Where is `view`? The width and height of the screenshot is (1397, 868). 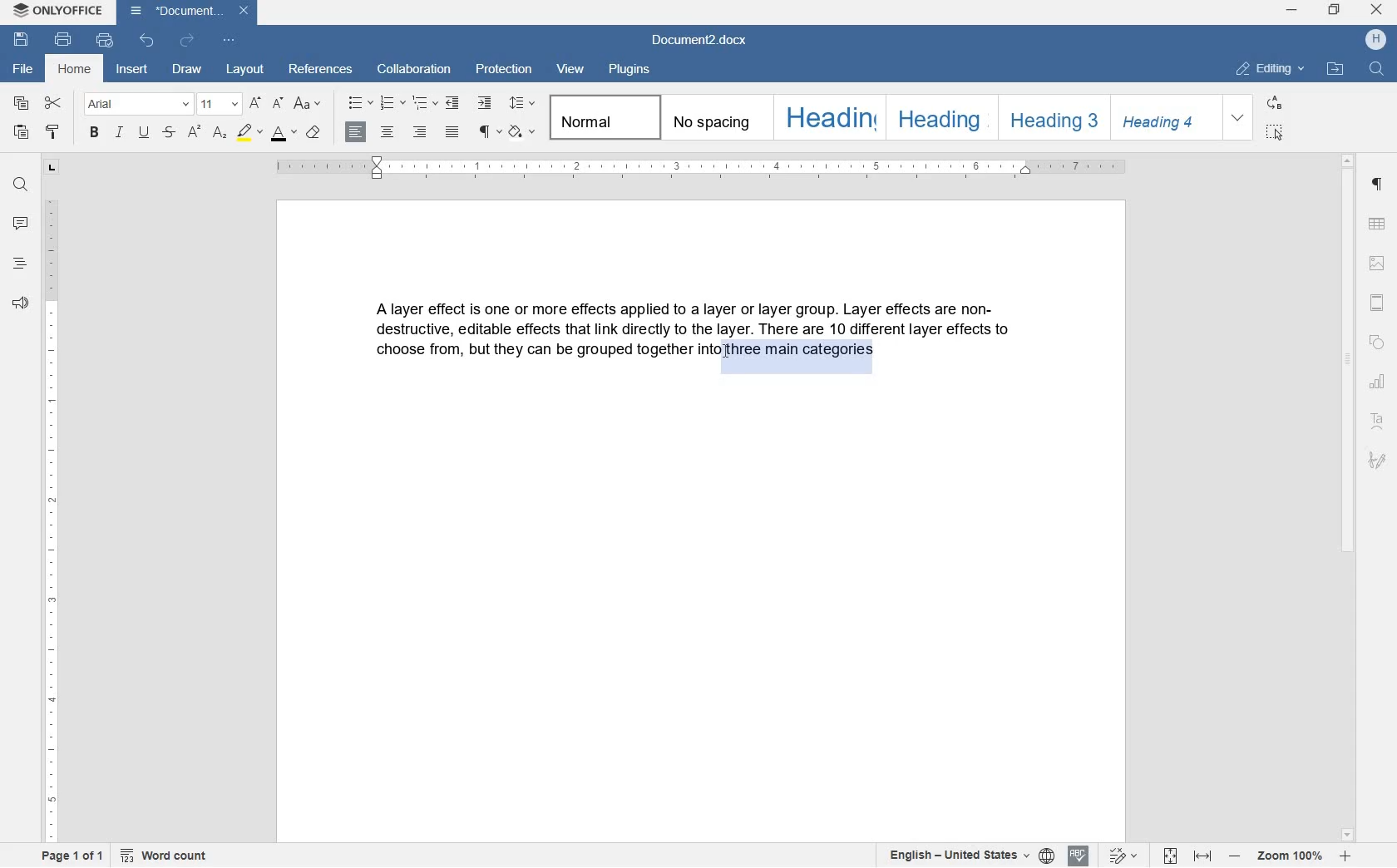
view is located at coordinates (574, 68).